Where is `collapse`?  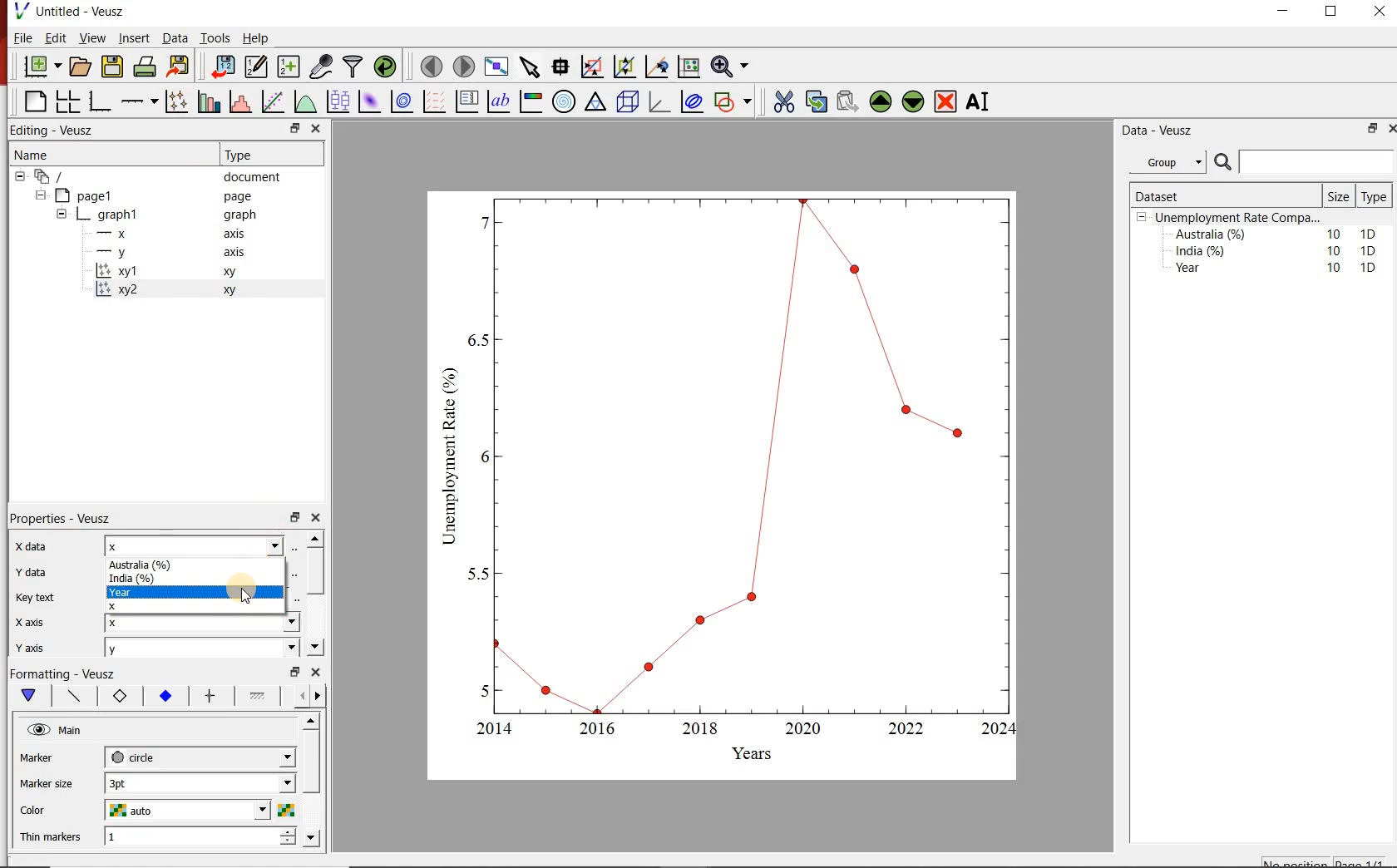 collapse is located at coordinates (61, 216).